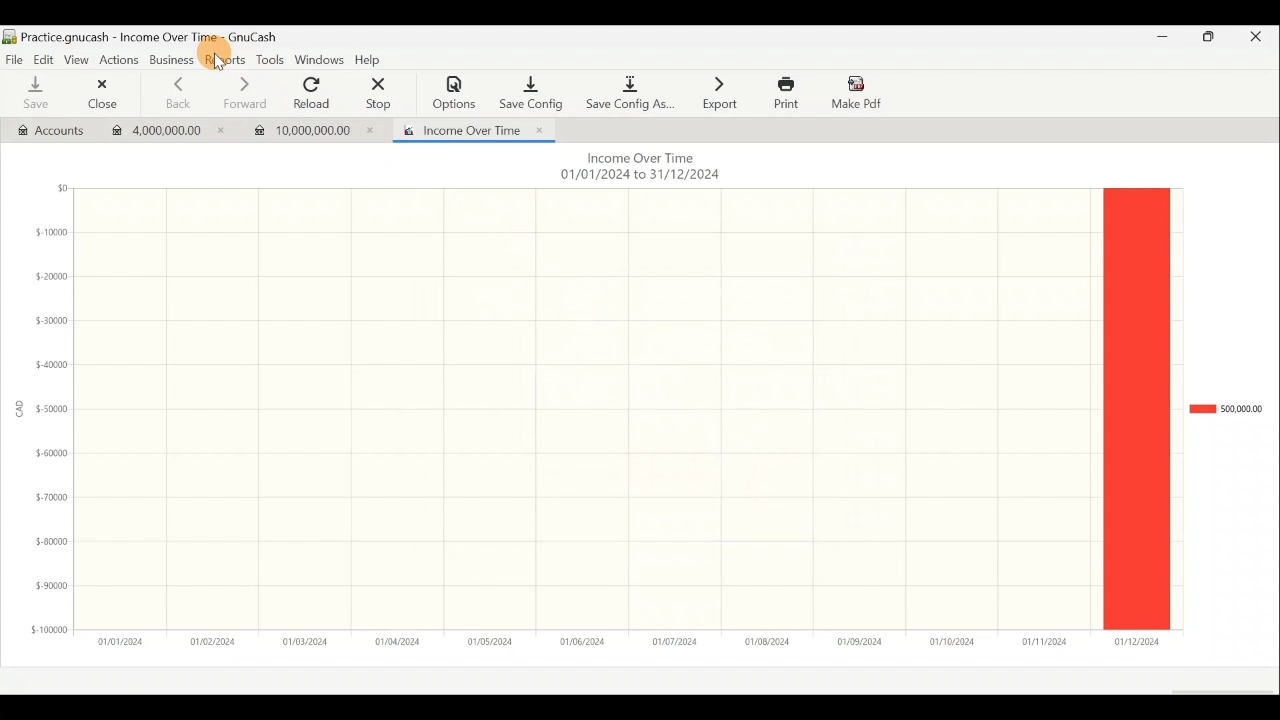  What do you see at coordinates (784, 93) in the screenshot?
I see `Print` at bounding box center [784, 93].